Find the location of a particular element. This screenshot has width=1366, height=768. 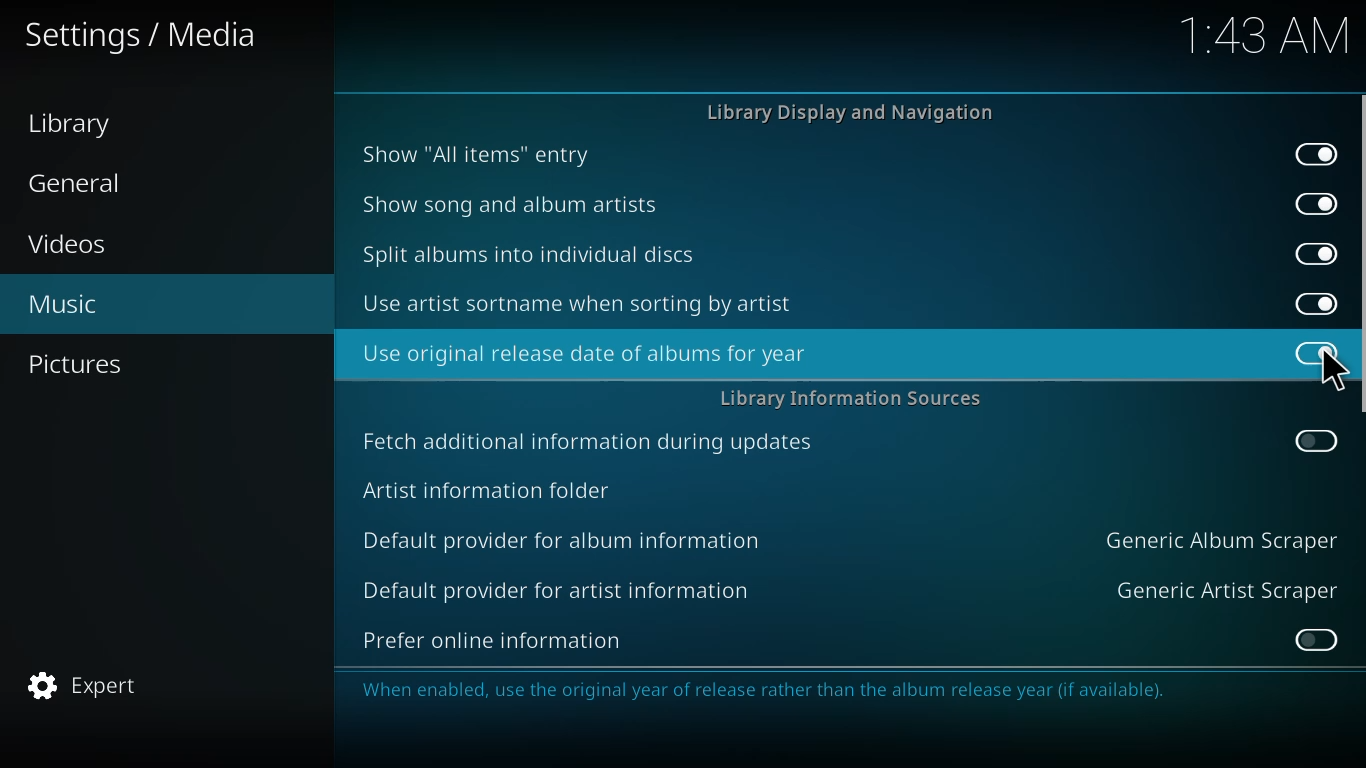

enabled is located at coordinates (1317, 352).